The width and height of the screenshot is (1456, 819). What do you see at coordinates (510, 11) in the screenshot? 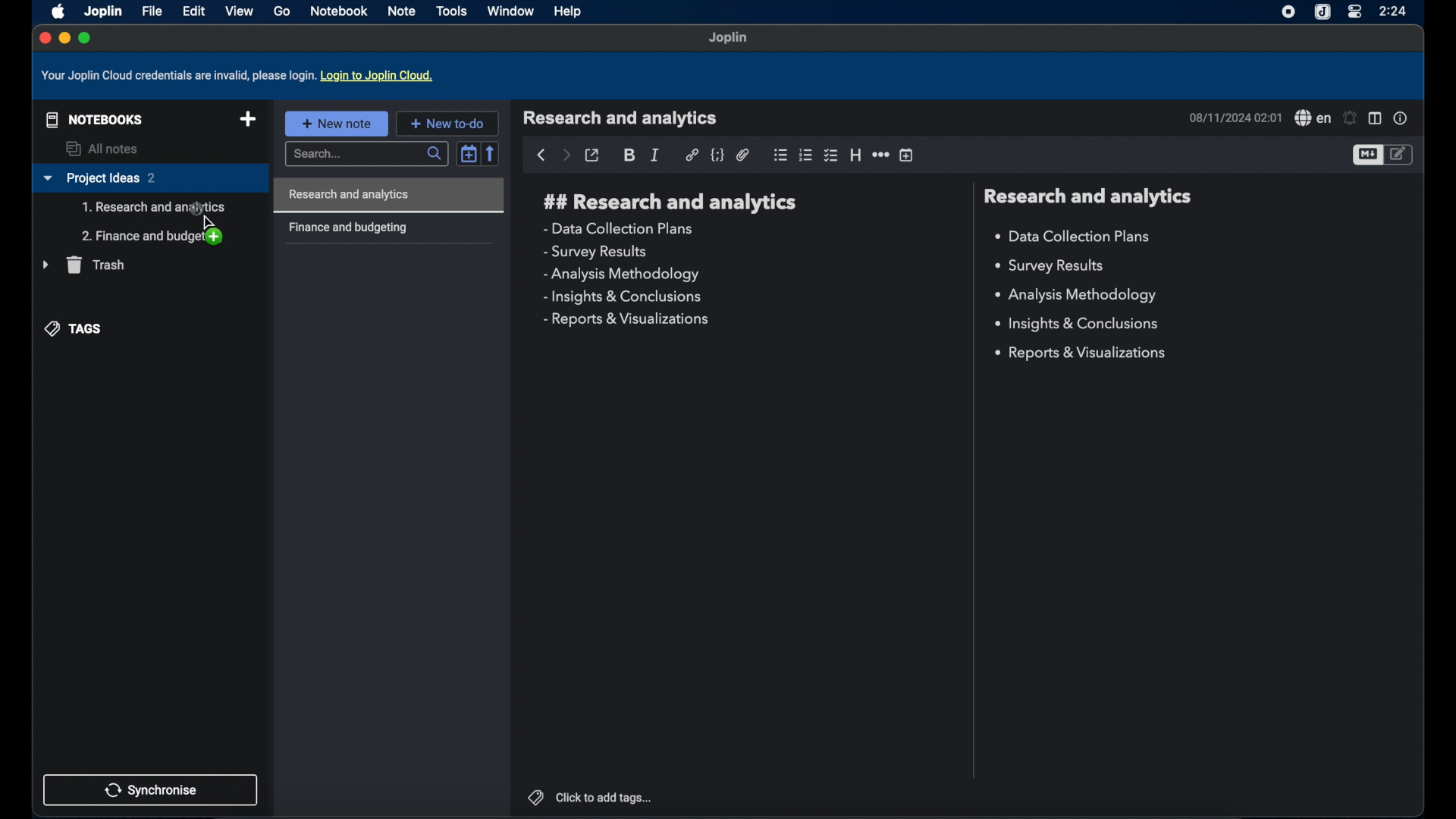
I see `window` at bounding box center [510, 11].